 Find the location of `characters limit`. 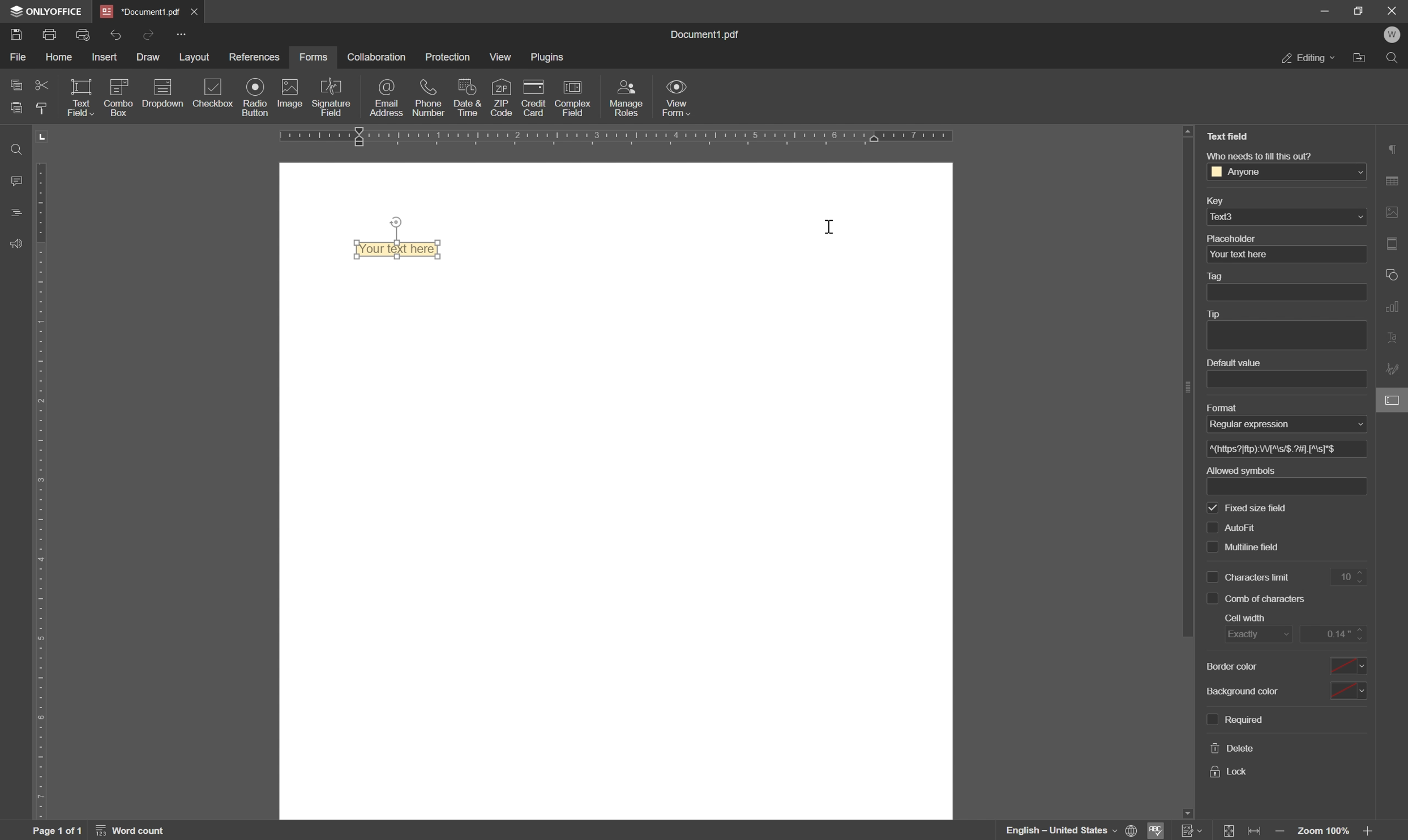

characters limit is located at coordinates (1261, 546).